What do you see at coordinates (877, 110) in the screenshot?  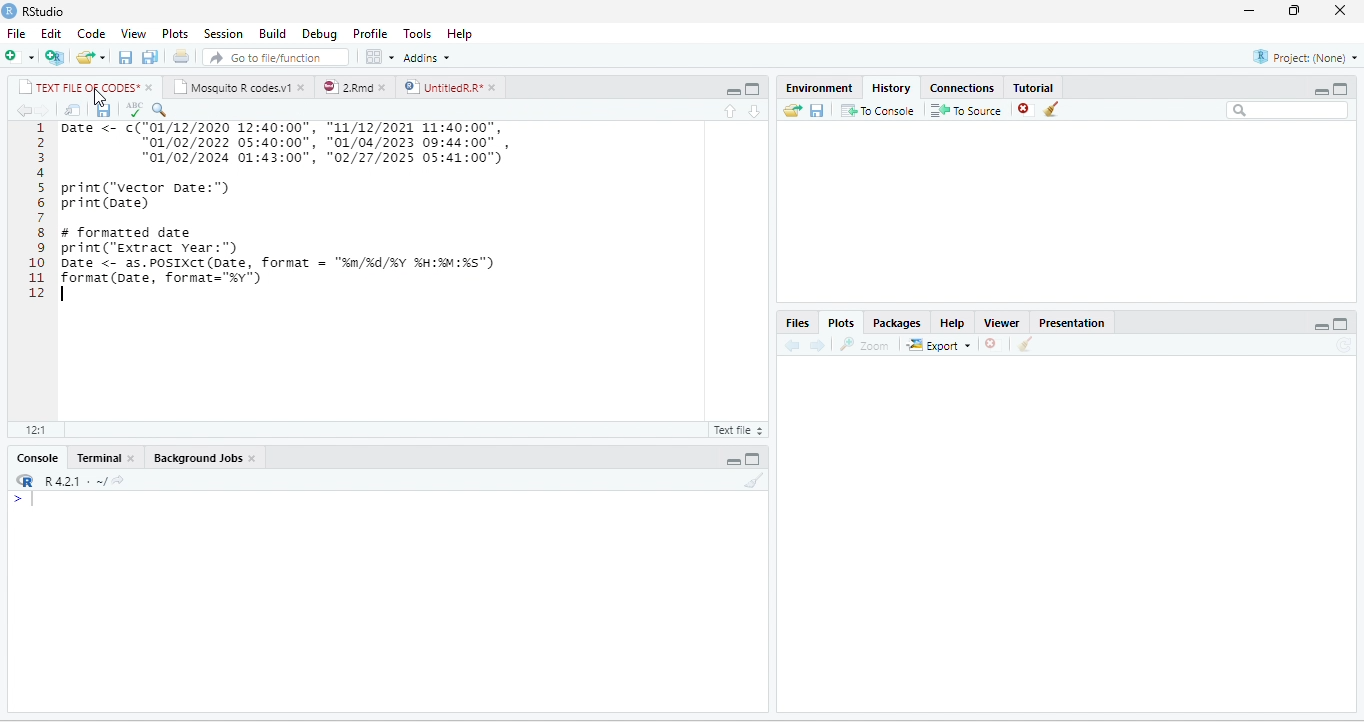 I see `To Console` at bounding box center [877, 110].